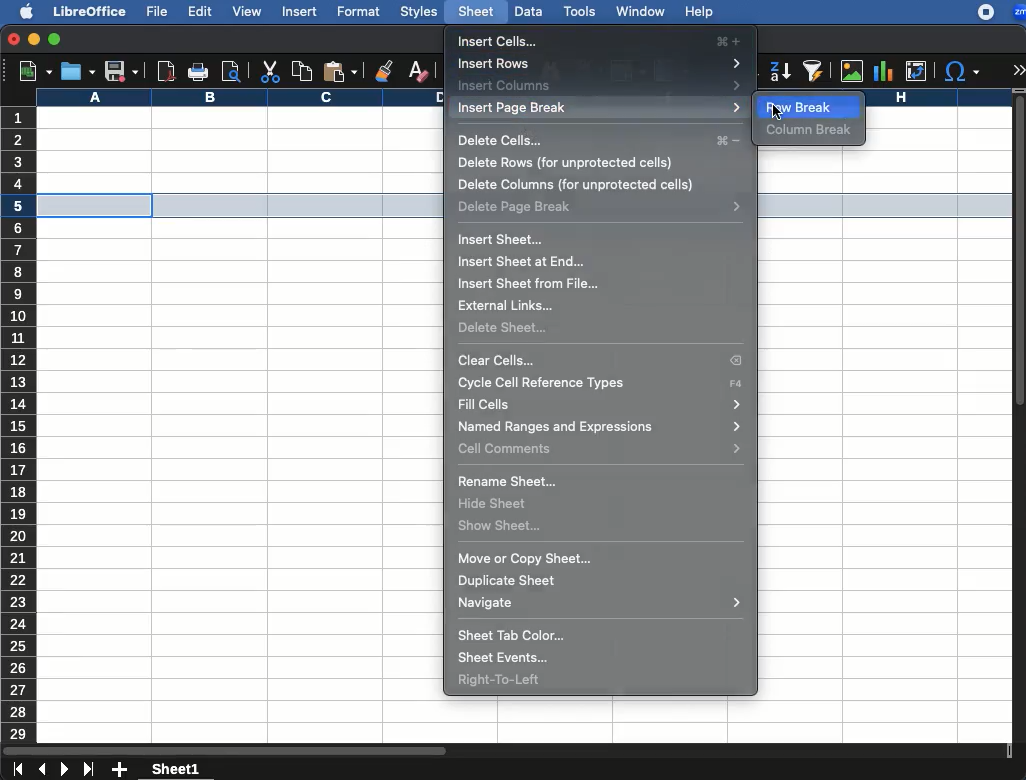 The image size is (1026, 780). What do you see at coordinates (601, 360) in the screenshot?
I see `clear cells` at bounding box center [601, 360].